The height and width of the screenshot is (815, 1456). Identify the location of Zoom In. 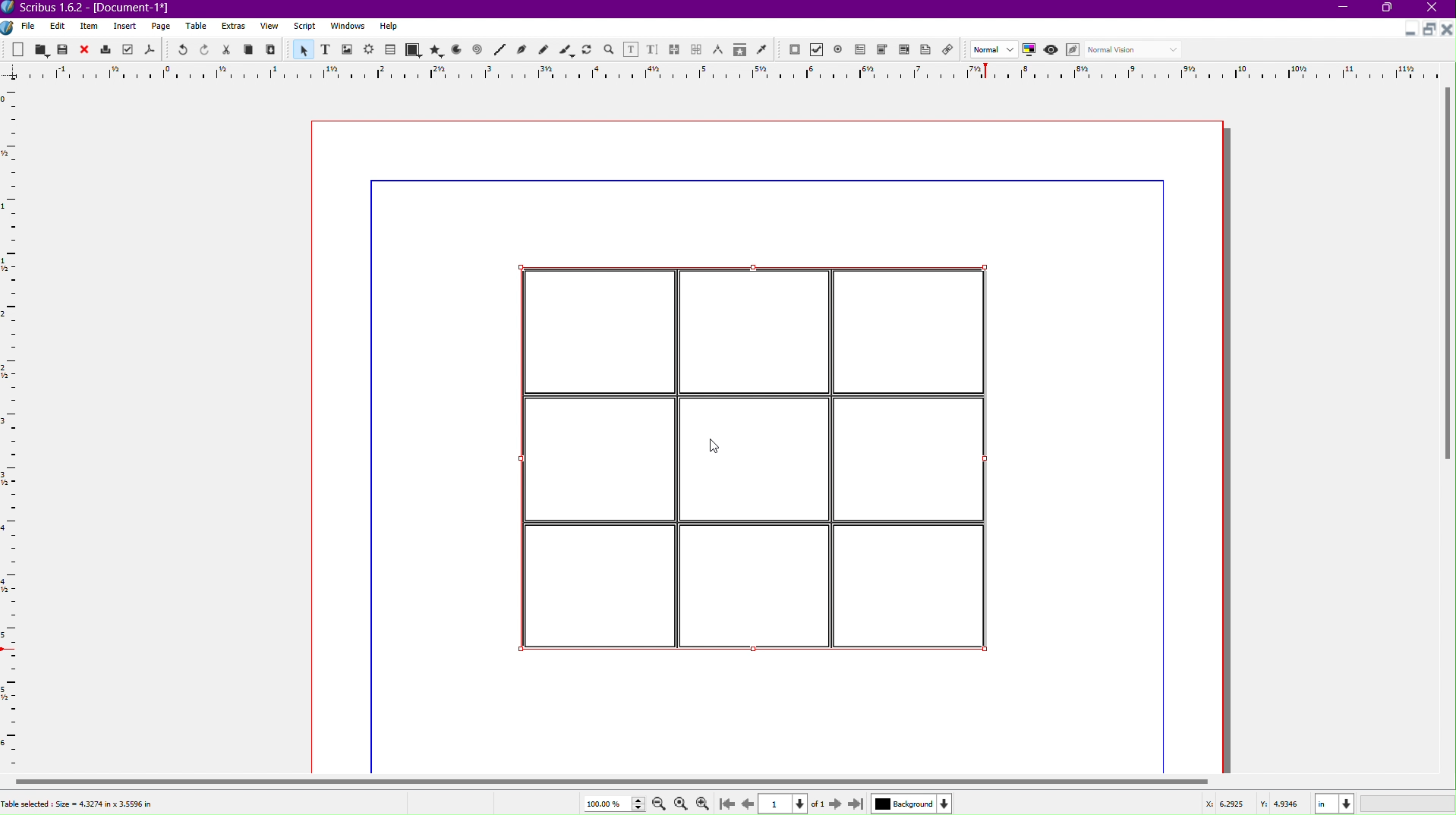
(706, 803).